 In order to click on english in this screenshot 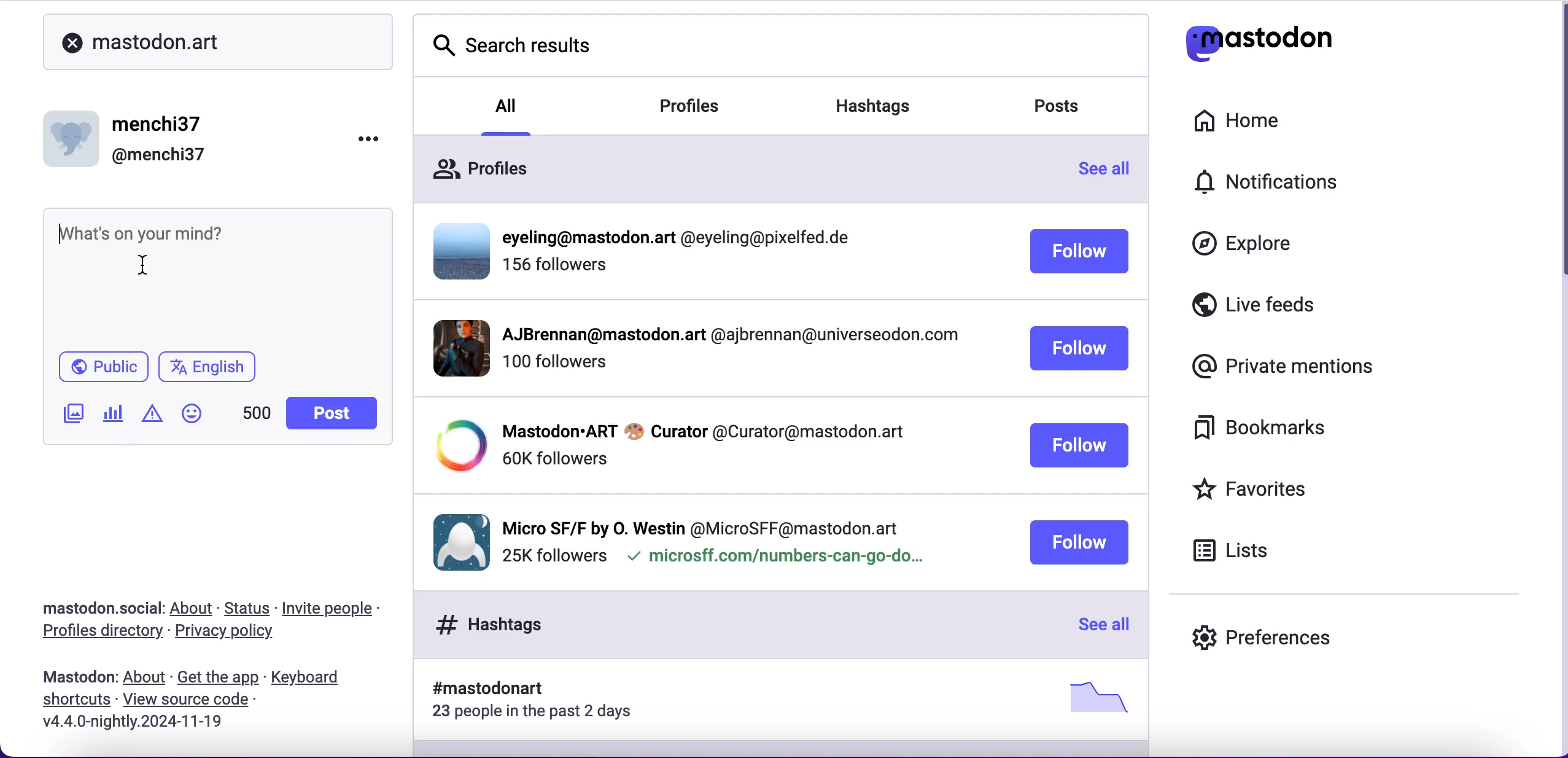, I will do `click(206, 367)`.